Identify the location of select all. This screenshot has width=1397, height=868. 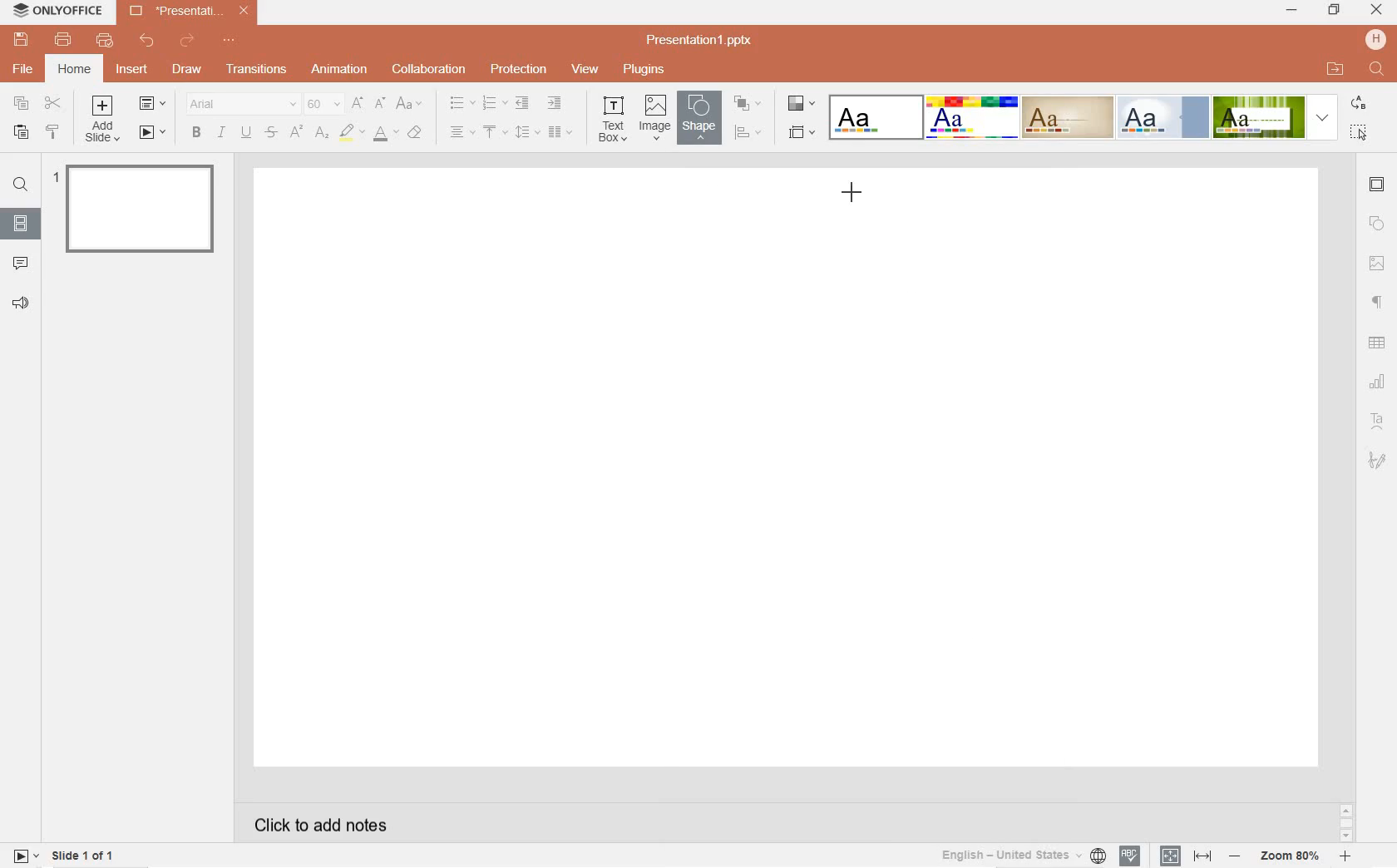
(1360, 132).